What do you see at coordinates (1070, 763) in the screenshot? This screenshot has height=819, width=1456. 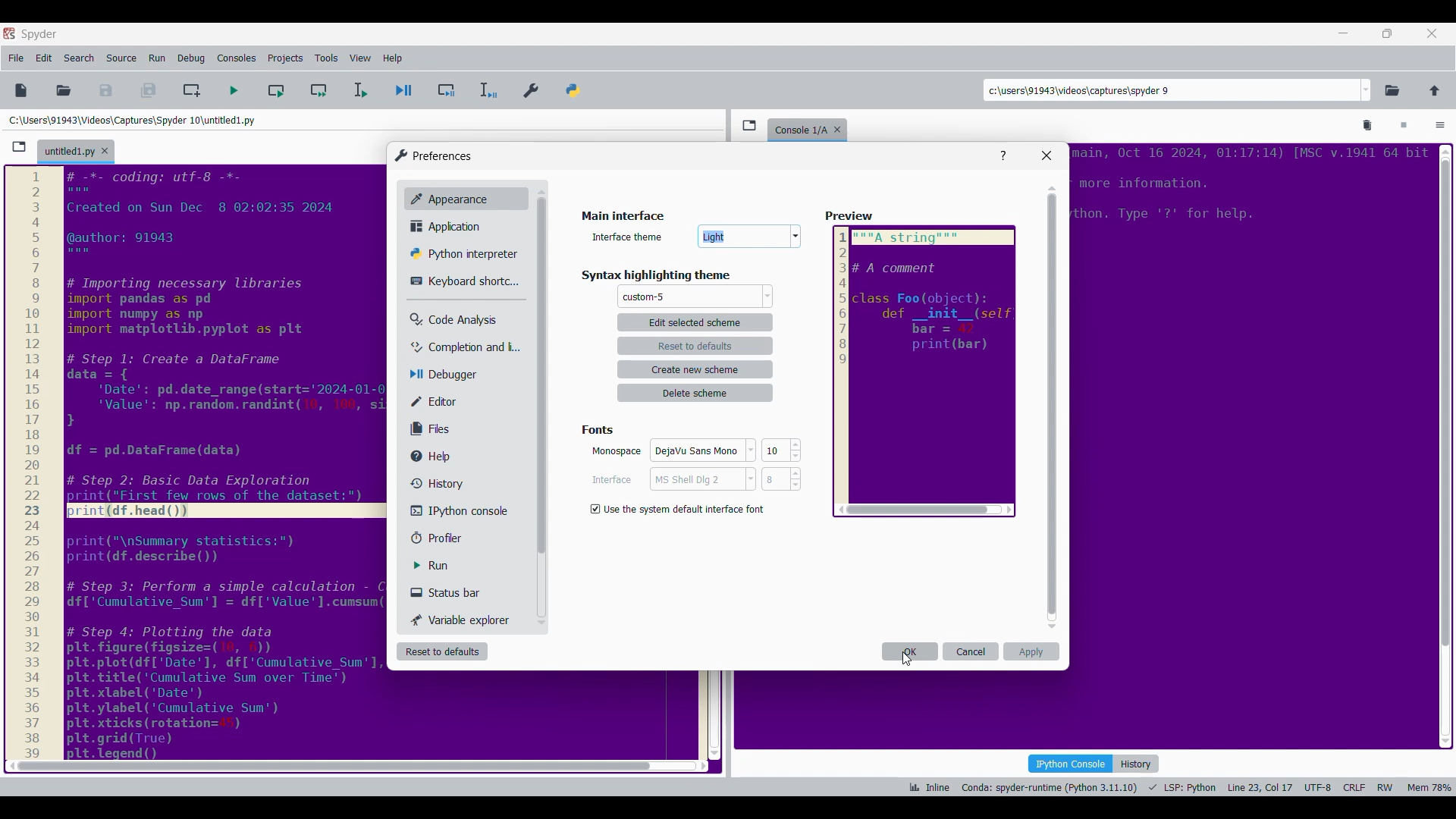 I see `IPython console` at bounding box center [1070, 763].